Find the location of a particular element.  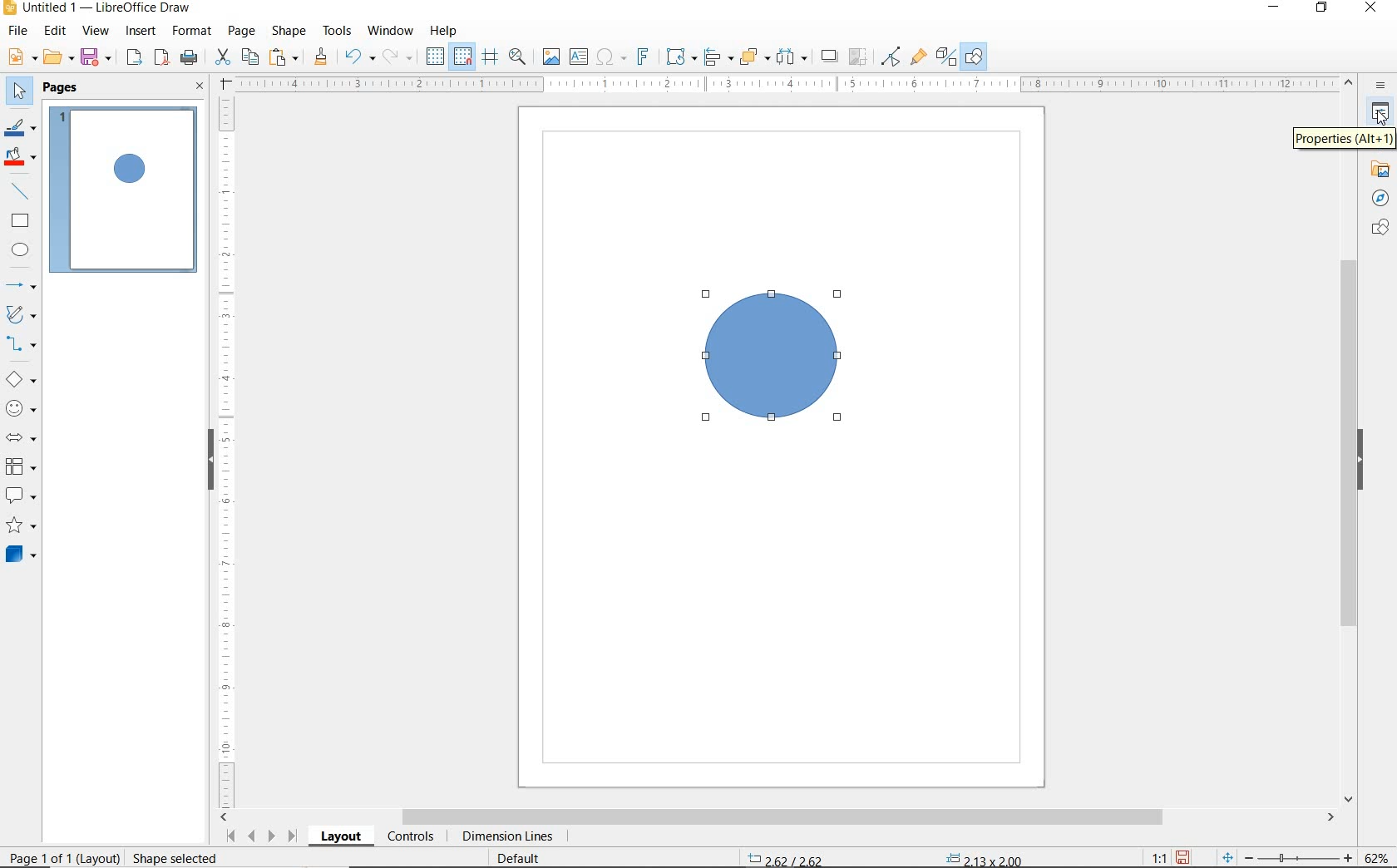

PAGE is located at coordinates (243, 32).